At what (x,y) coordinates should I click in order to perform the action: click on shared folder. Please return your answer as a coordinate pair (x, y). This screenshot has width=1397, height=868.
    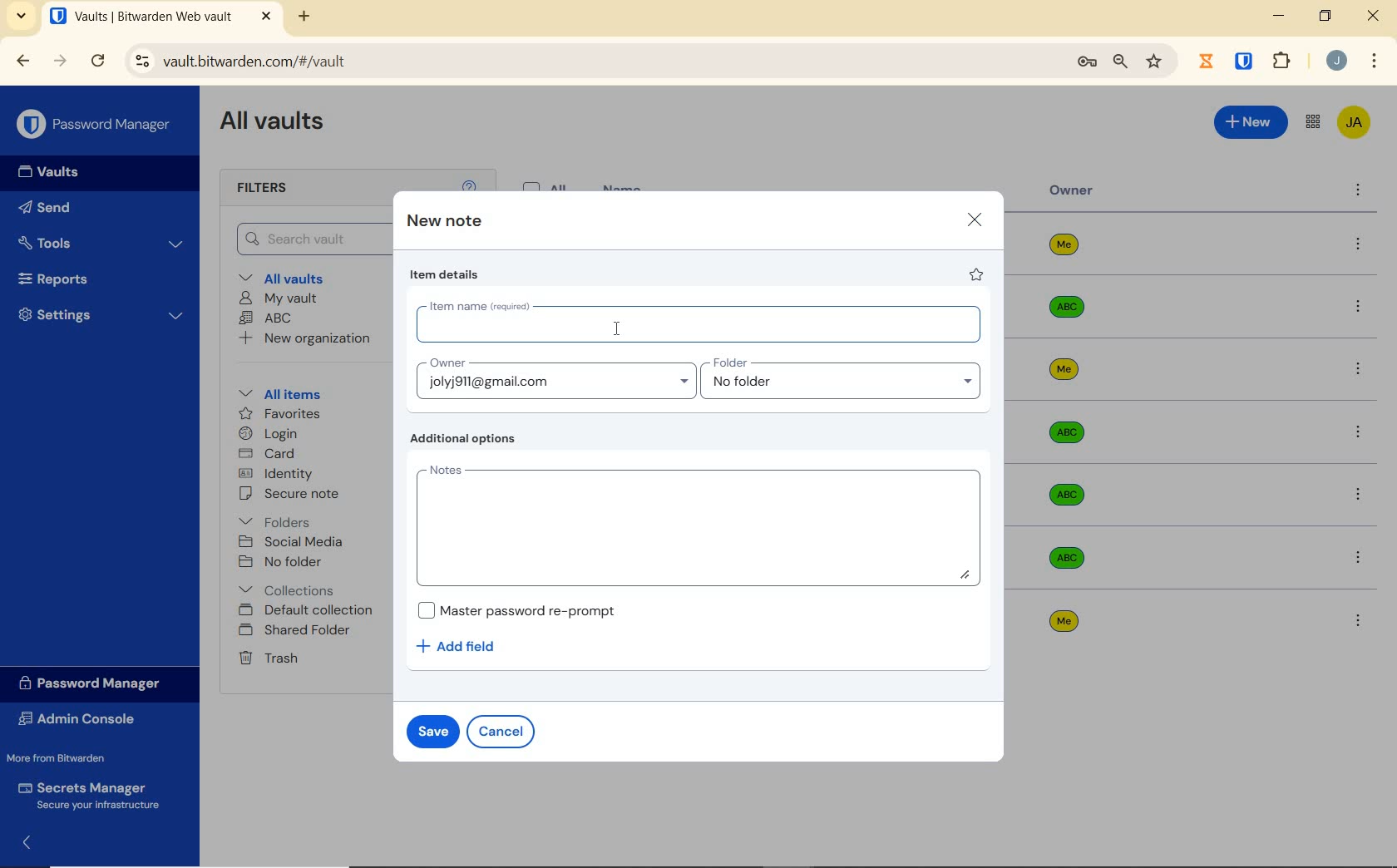
    Looking at the image, I should click on (297, 631).